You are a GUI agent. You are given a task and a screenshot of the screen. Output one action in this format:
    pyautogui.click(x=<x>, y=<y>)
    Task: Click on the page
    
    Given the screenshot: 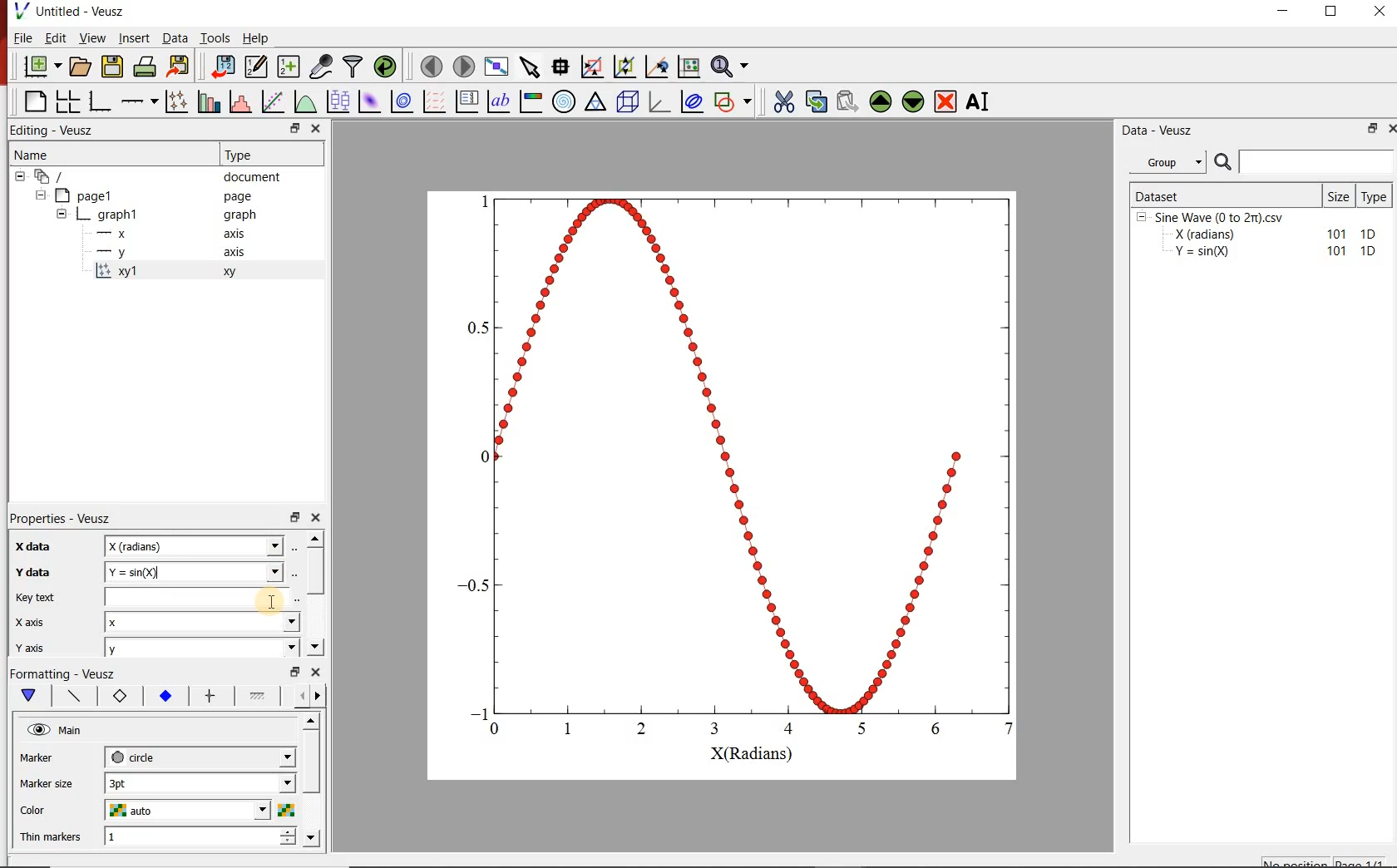 What is the action you would take?
    pyautogui.click(x=238, y=197)
    